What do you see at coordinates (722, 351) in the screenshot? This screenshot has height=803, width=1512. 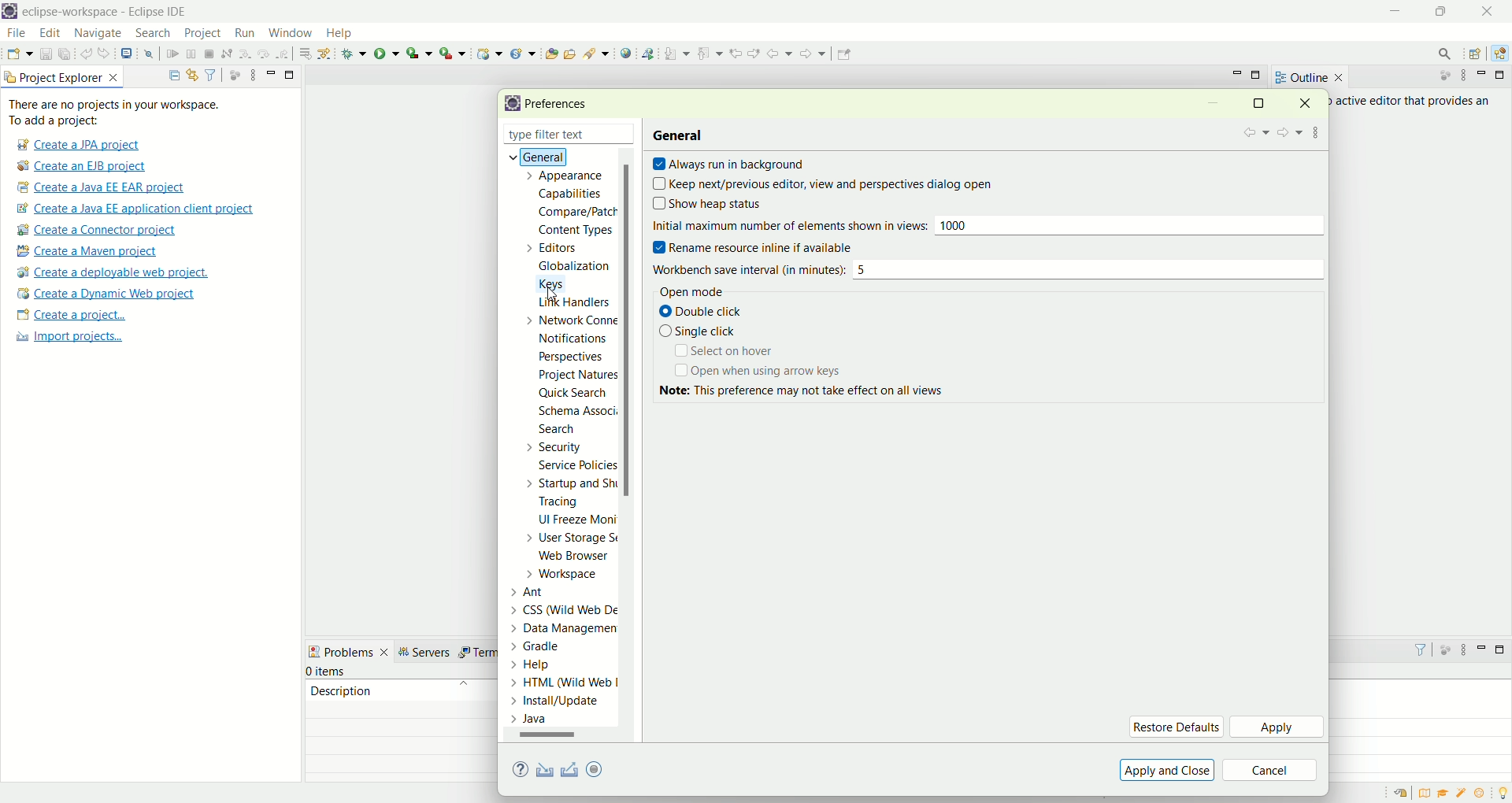 I see `elect on hover` at bounding box center [722, 351].